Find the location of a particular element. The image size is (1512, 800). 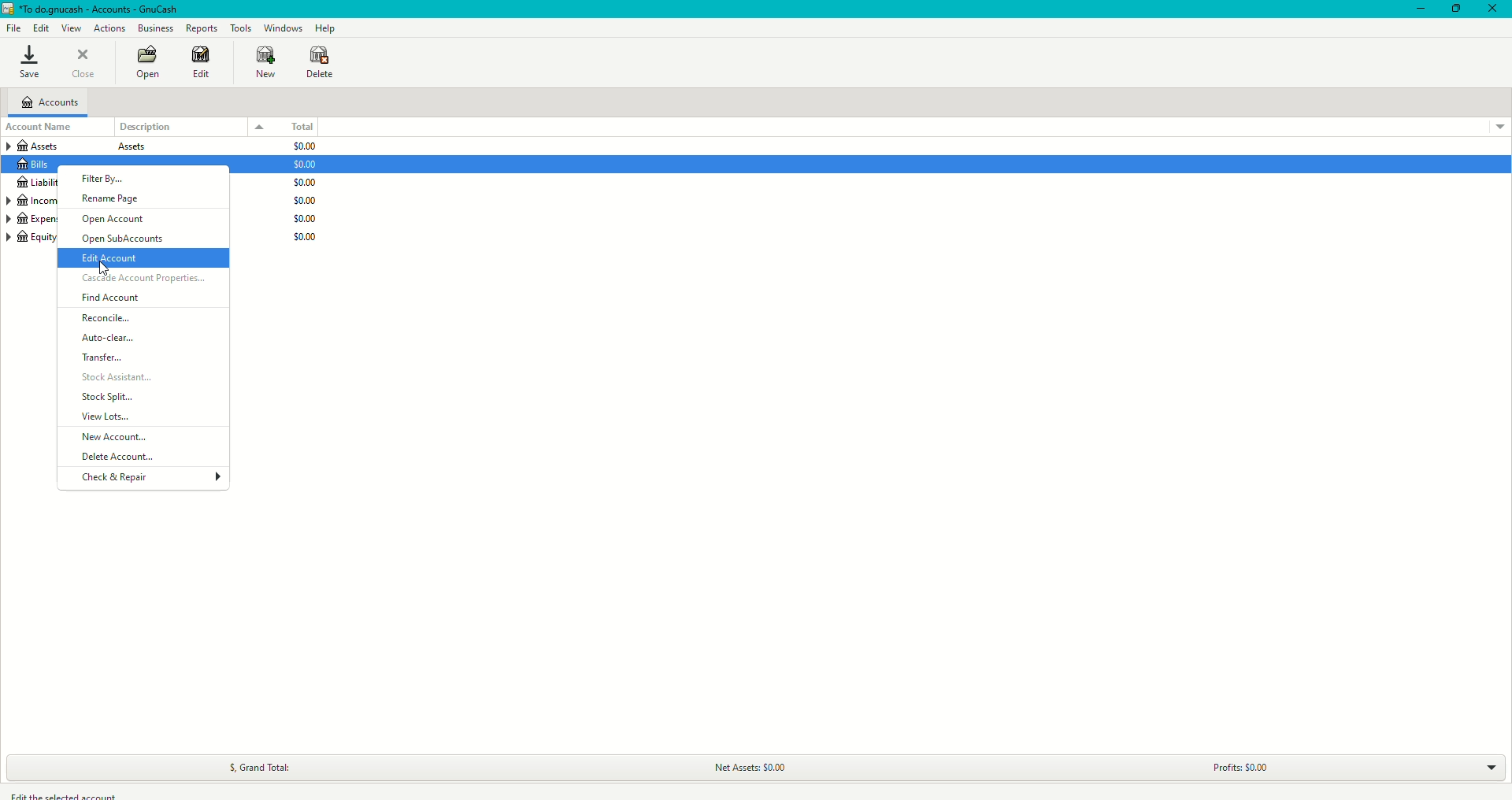

Net Assets is located at coordinates (749, 769).